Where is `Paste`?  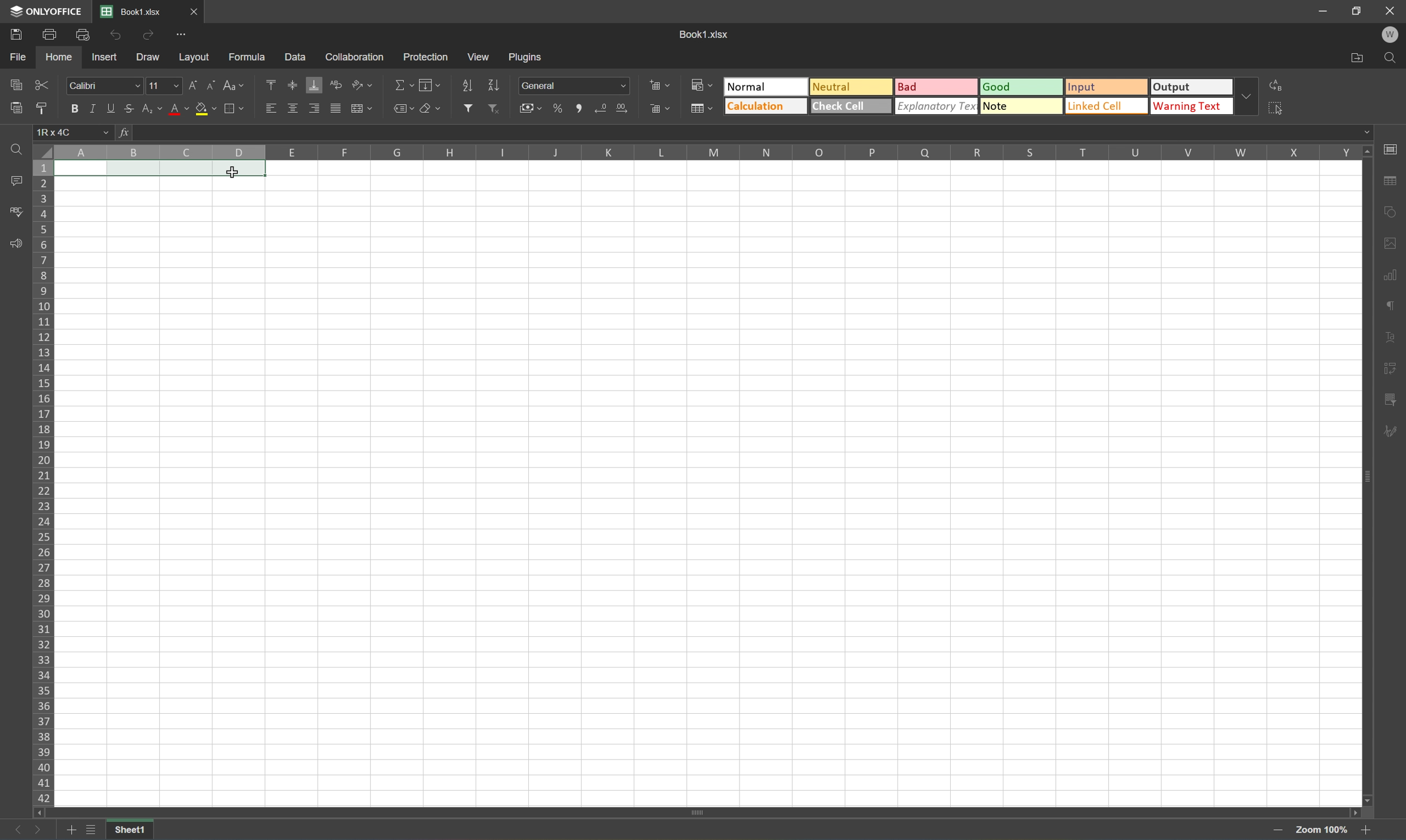
Paste is located at coordinates (13, 108).